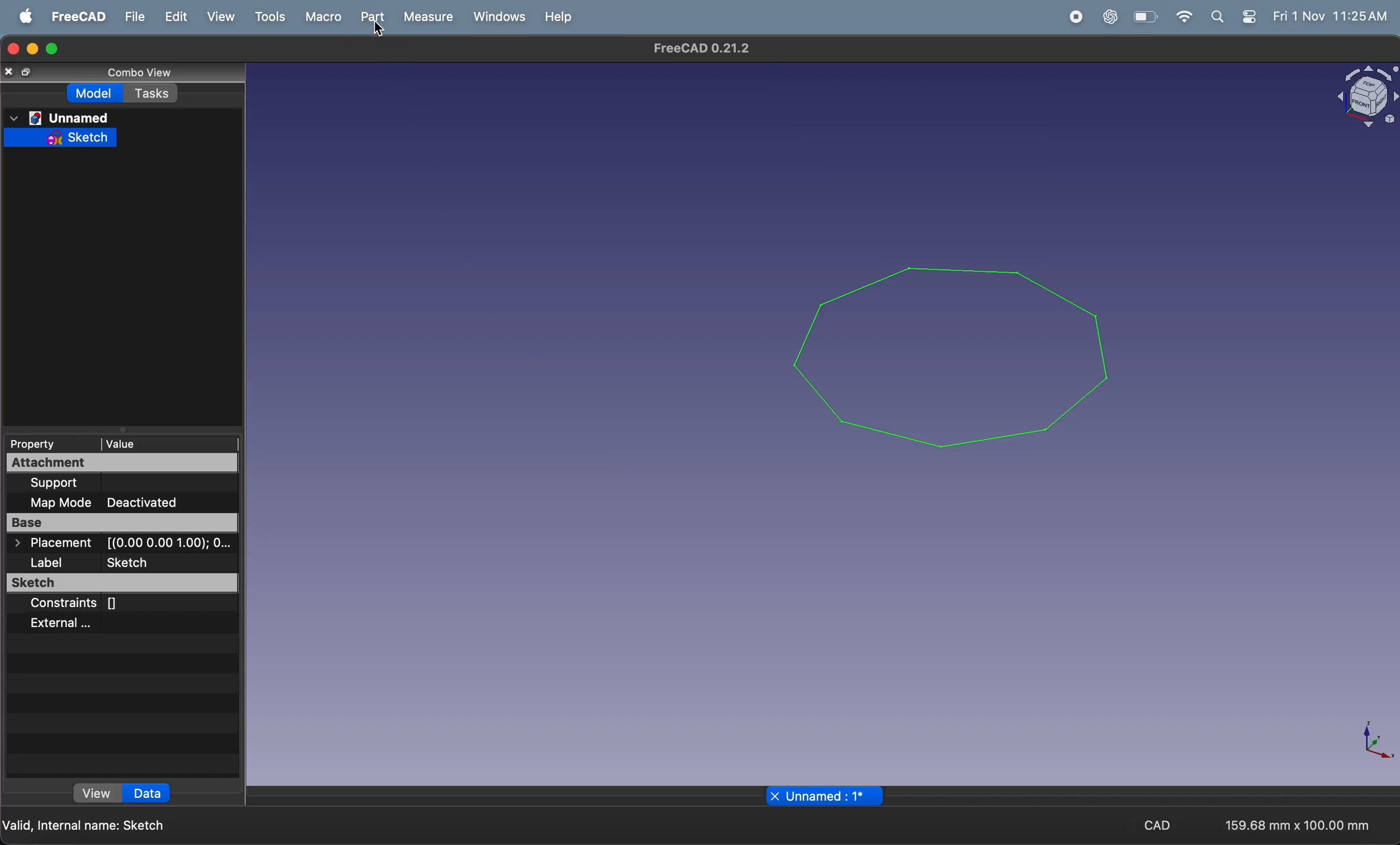 The height and width of the screenshot is (845, 1400). I want to click on Placement [(0.00 0.00 1.00); O..., so click(122, 543).